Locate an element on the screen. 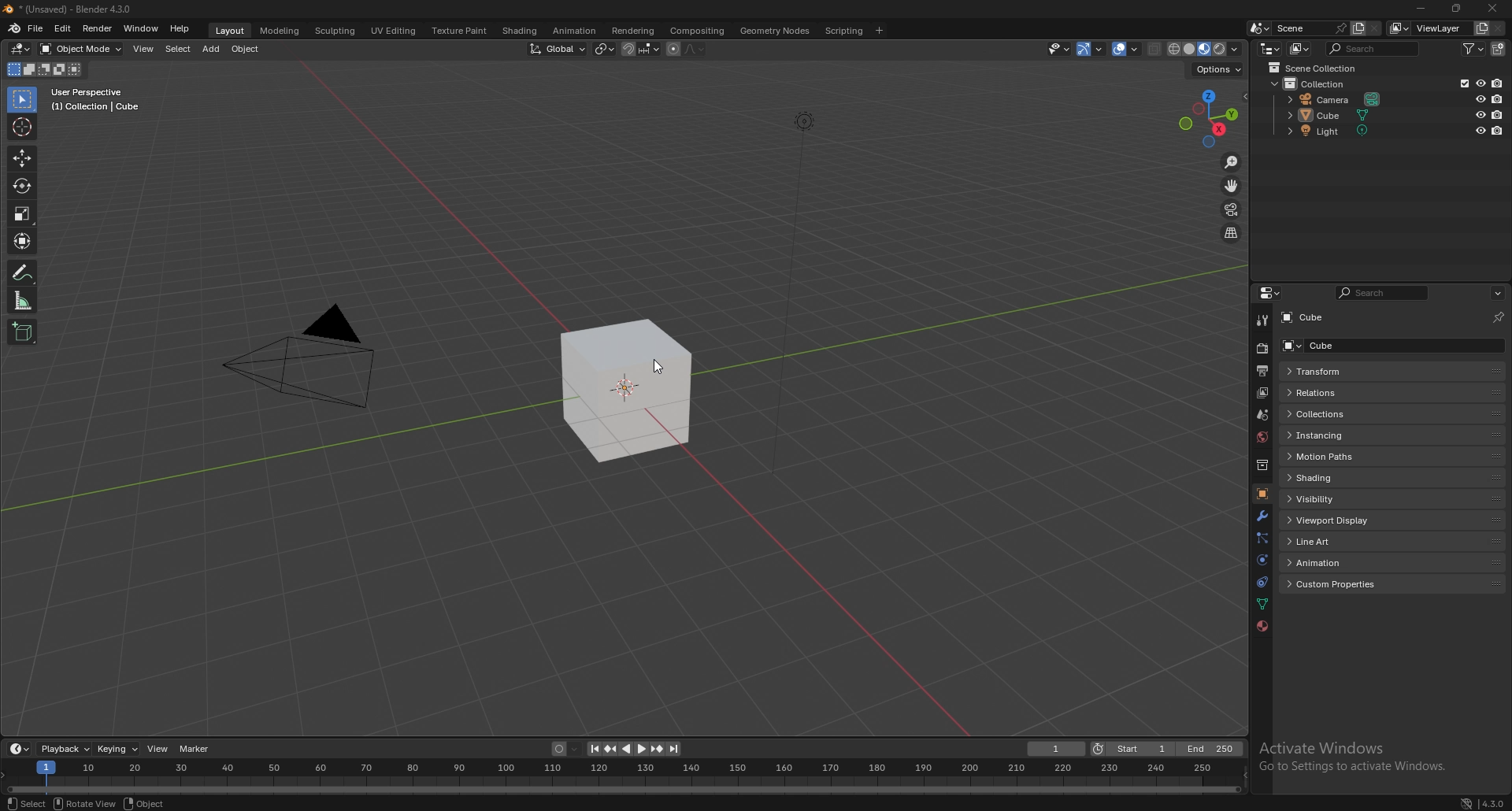  rotate is located at coordinates (20, 187).